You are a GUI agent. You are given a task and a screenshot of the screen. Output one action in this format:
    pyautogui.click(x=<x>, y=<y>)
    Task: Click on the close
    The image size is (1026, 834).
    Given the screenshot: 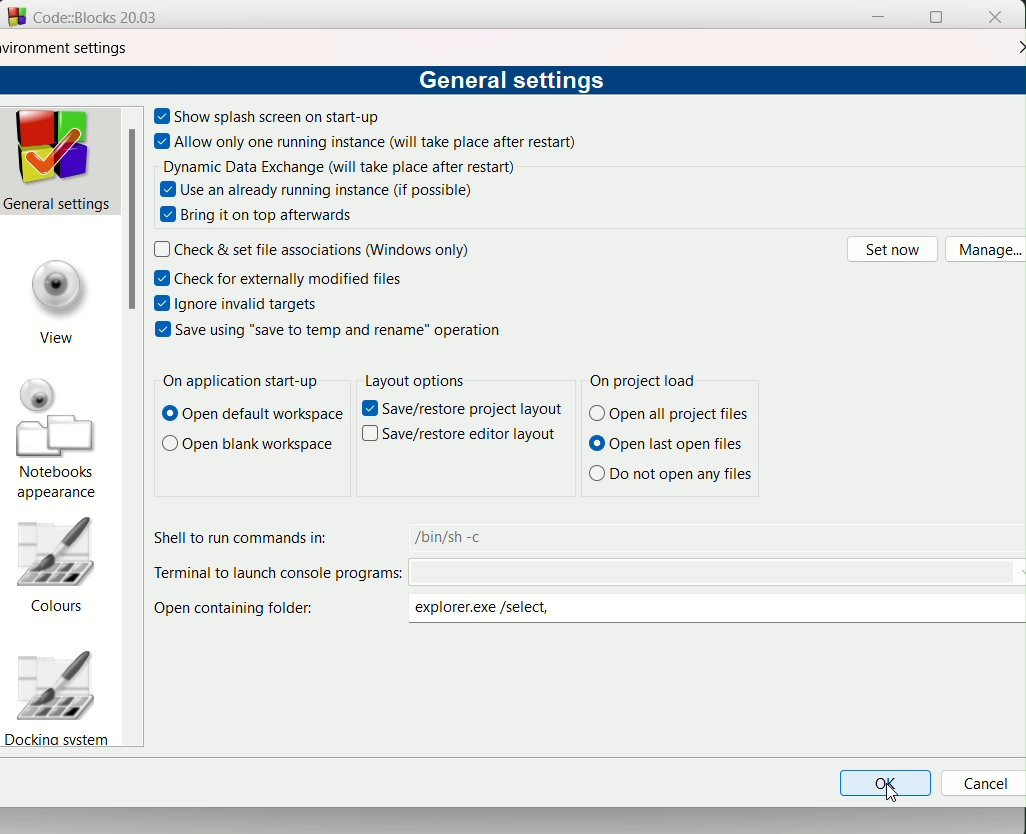 What is the action you would take?
    pyautogui.click(x=1019, y=45)
    